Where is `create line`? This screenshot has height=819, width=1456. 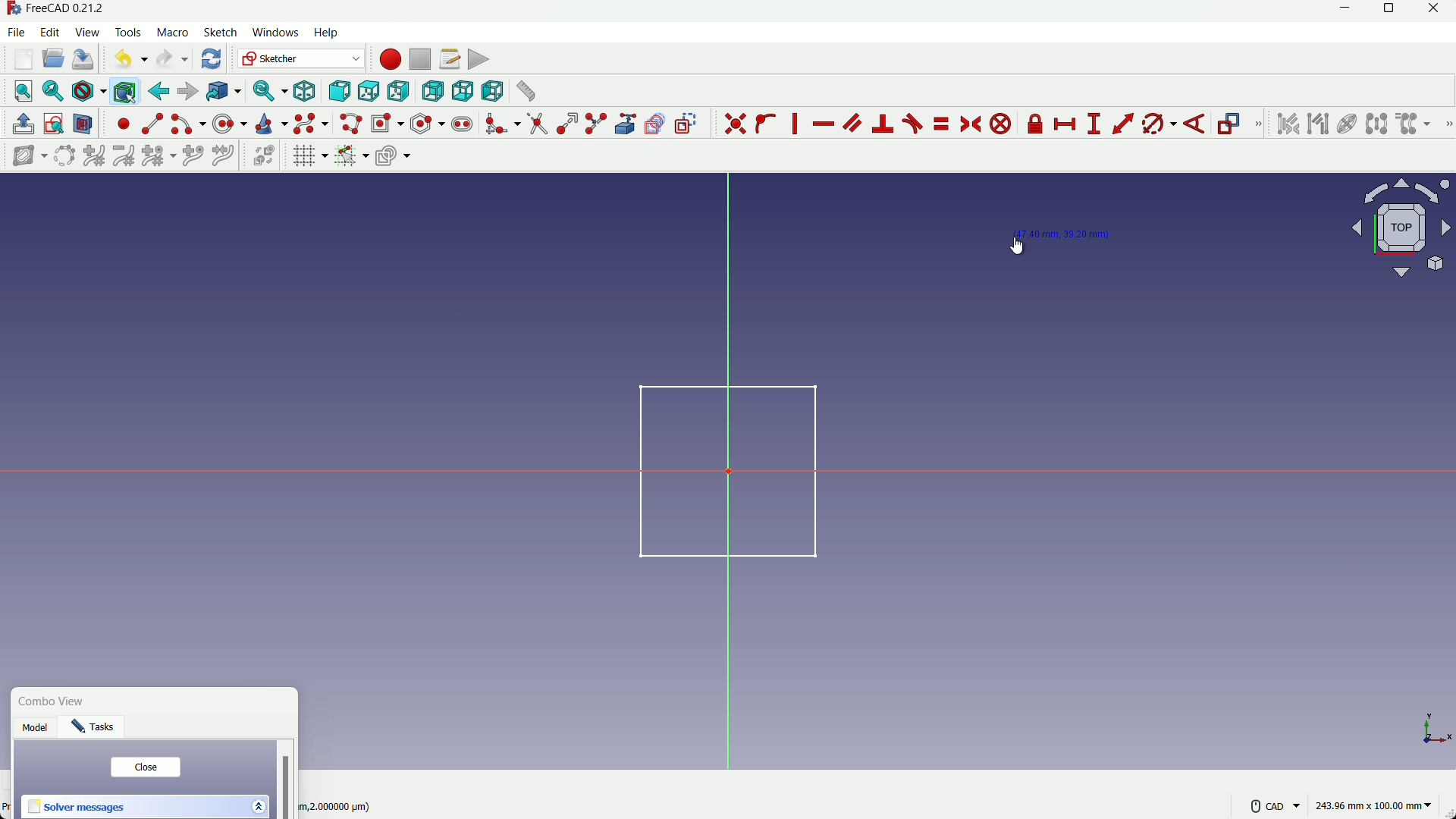
create line is located at coordinates (152, 124).